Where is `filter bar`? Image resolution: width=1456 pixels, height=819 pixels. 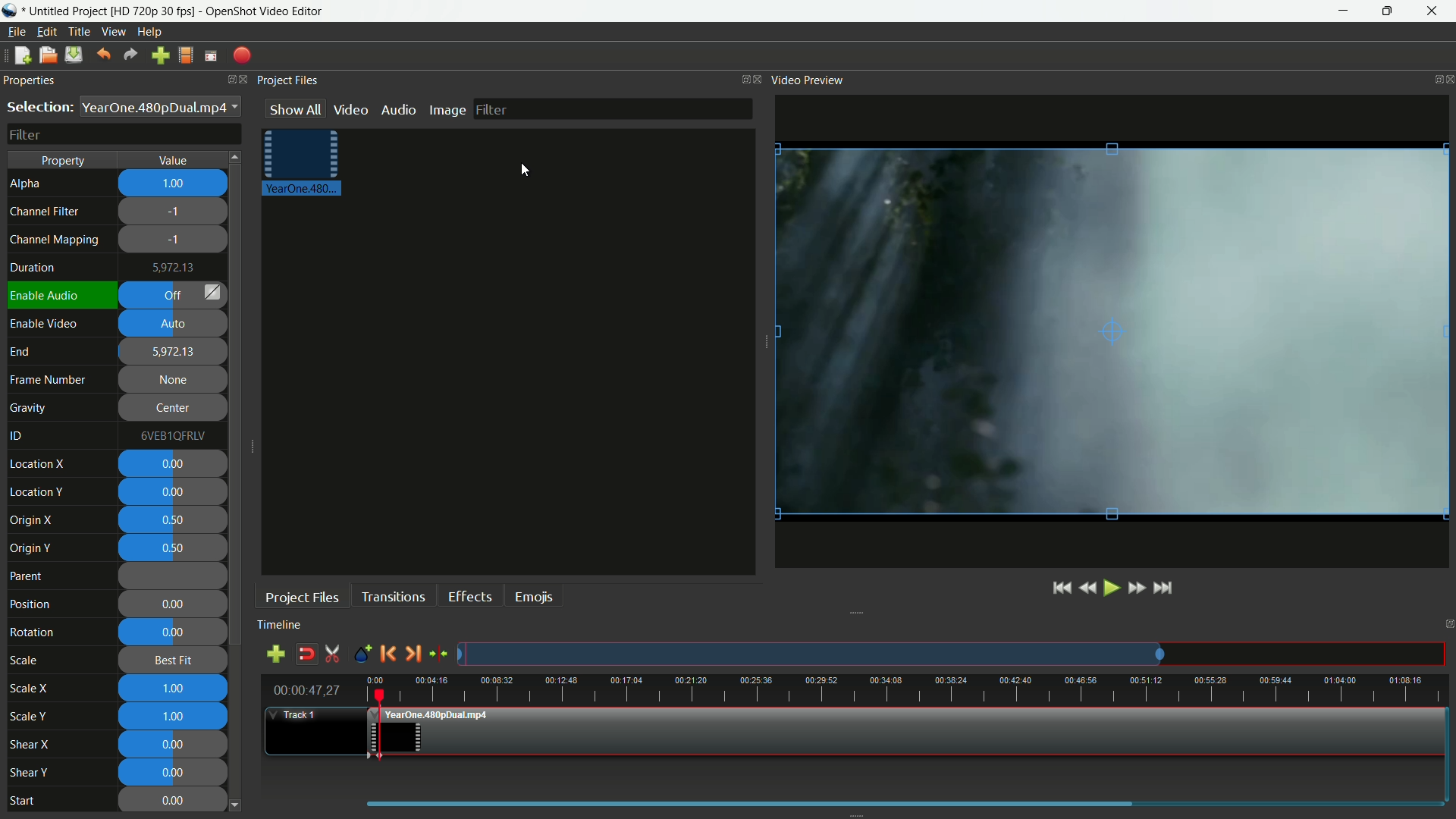
filter bar is located at coordinates (617, 111).